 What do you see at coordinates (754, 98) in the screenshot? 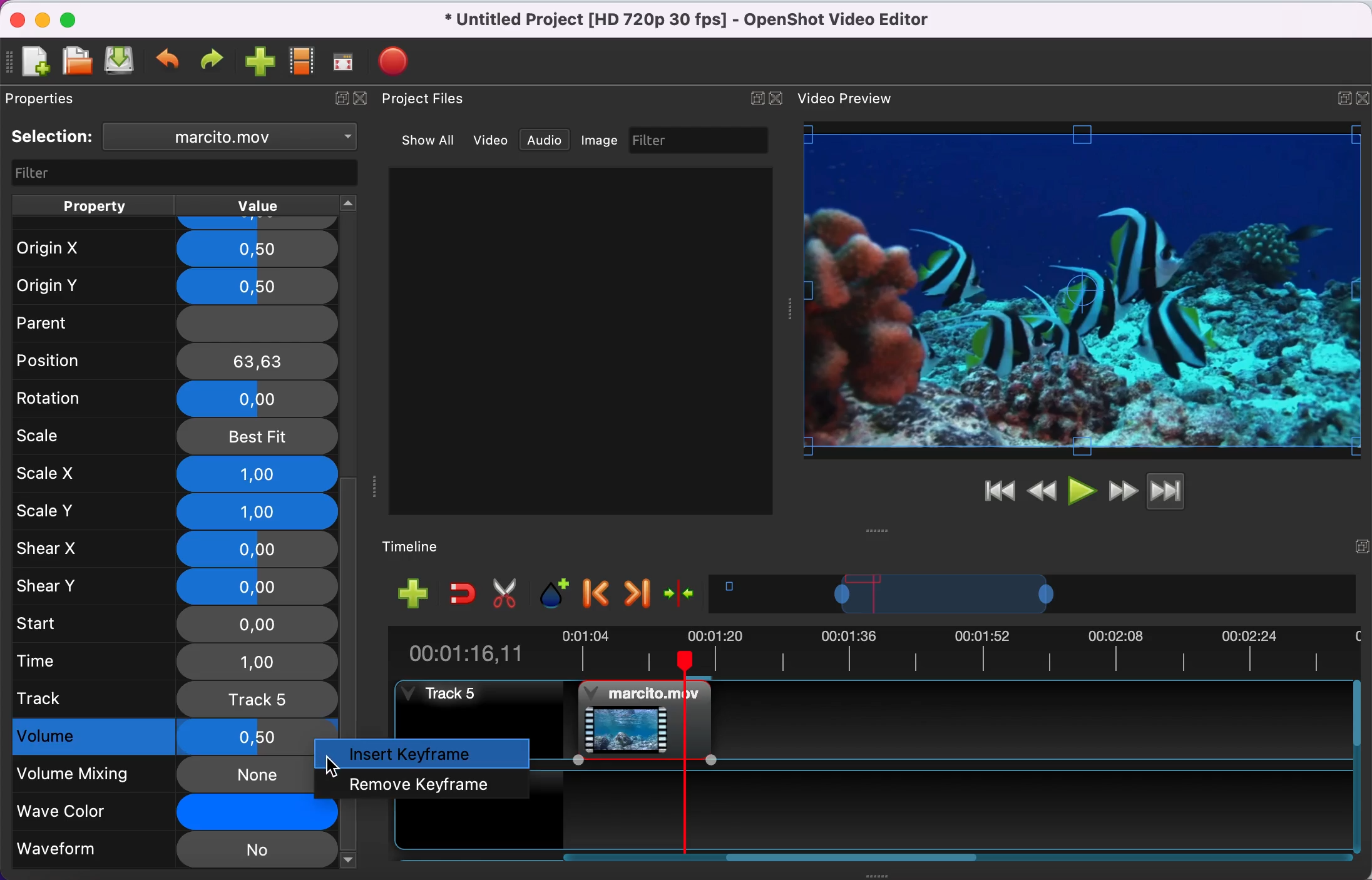
I see `expand/hide` at bounding box center [754, 98].